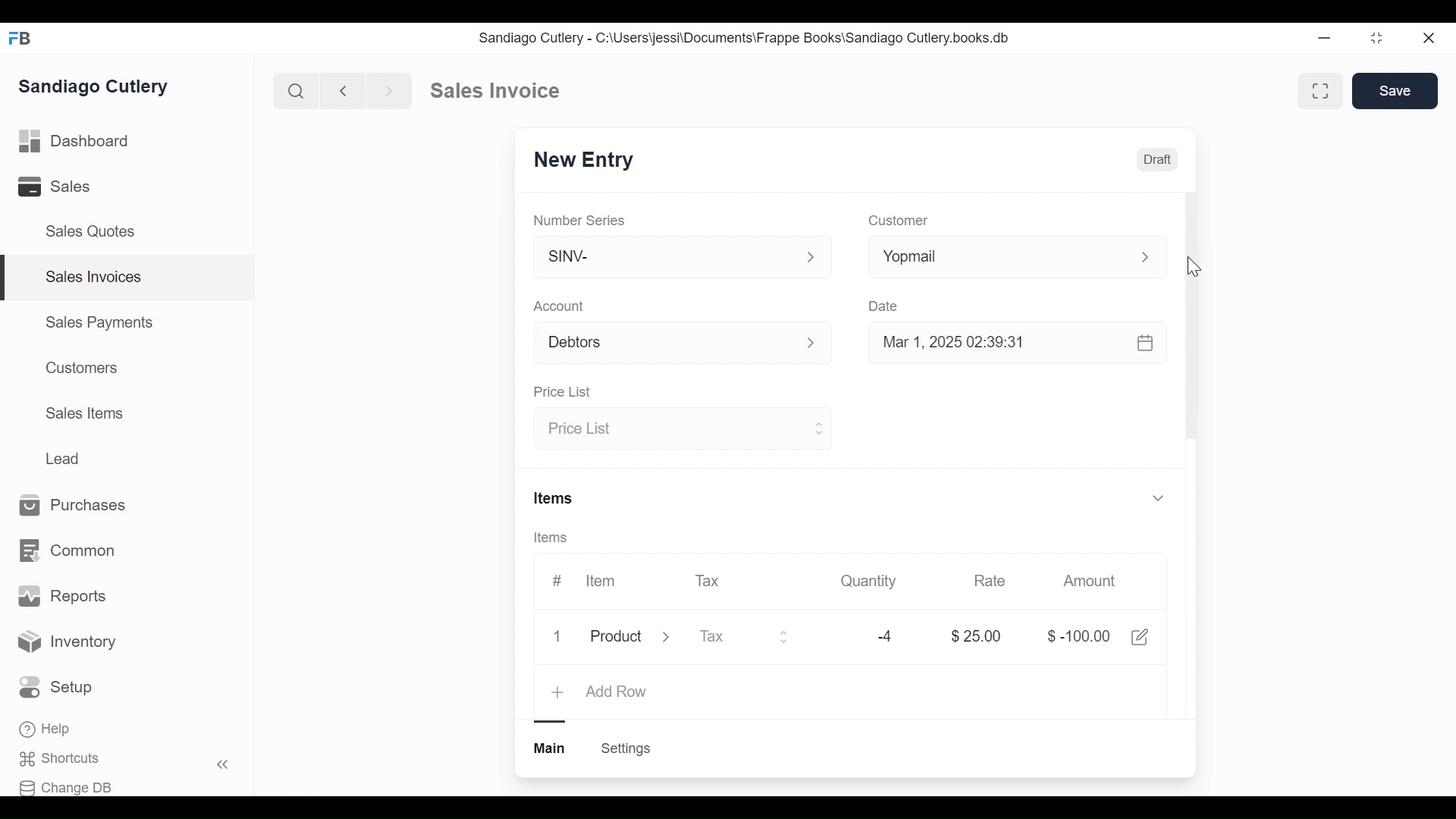 Image resolution: width=1456 pixels, height=819 pixels. What do you see at coordinates (52, 186) in the screenshot?
I see ` Sales` at bounding box center [52, 186].